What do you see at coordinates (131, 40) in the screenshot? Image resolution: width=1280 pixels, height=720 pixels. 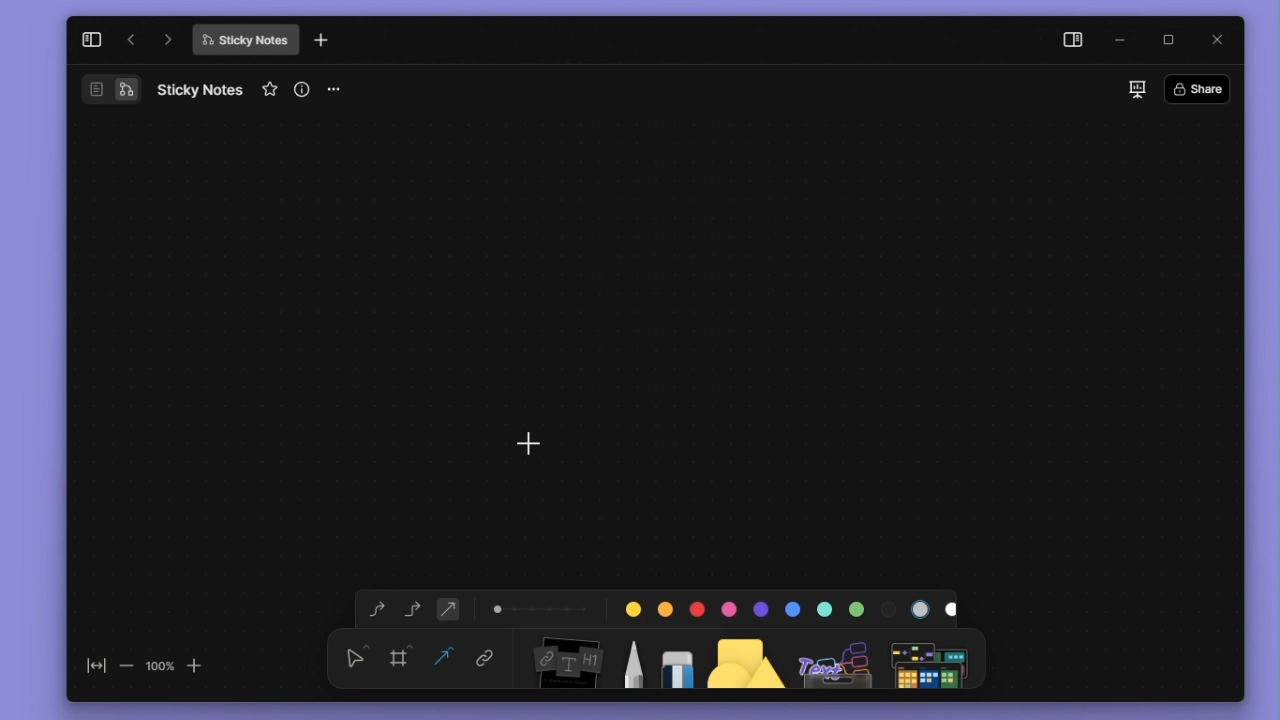 I see `go back` at bounding box center [131, 40].